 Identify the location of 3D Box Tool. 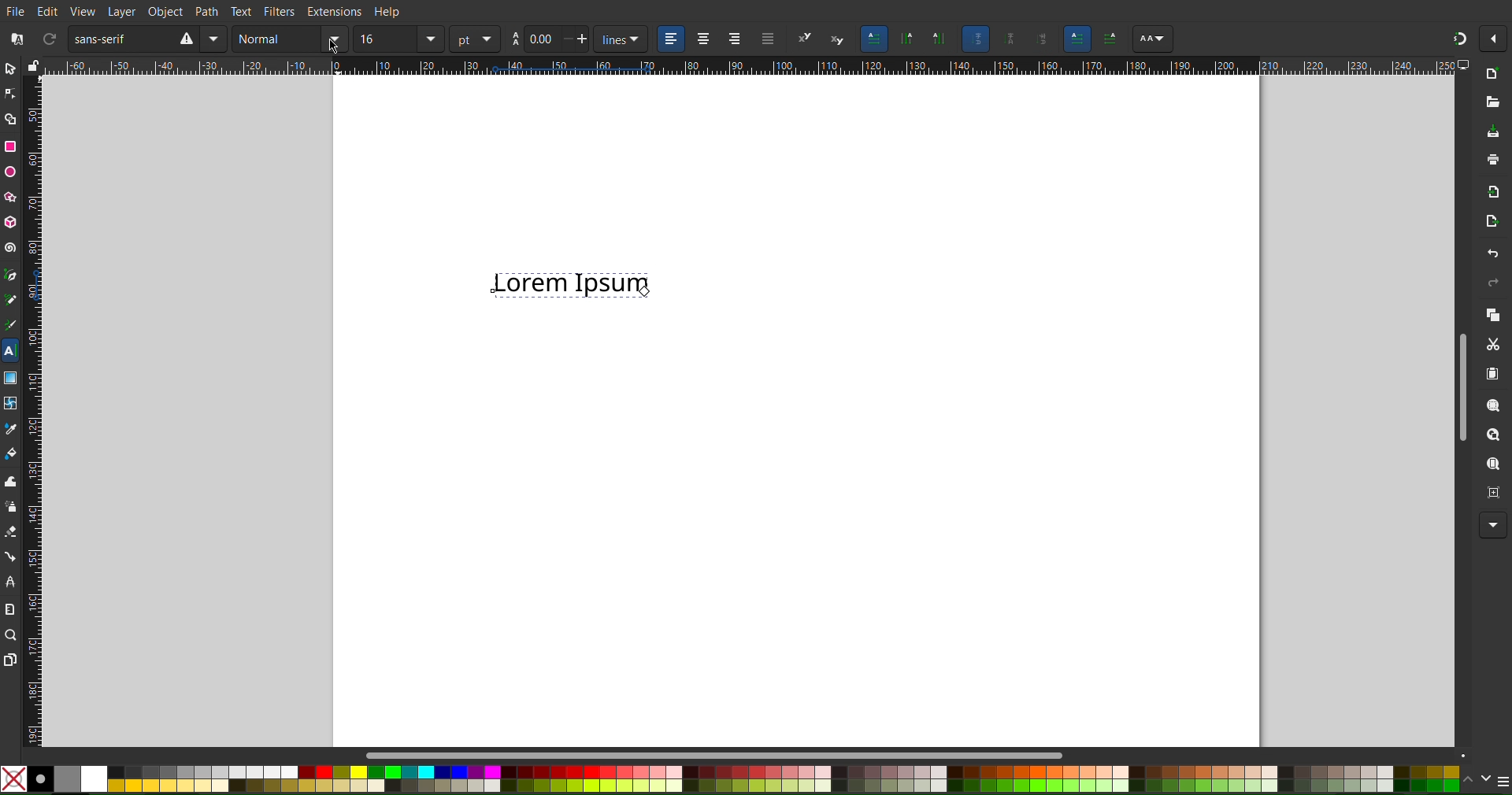
(10, 221).